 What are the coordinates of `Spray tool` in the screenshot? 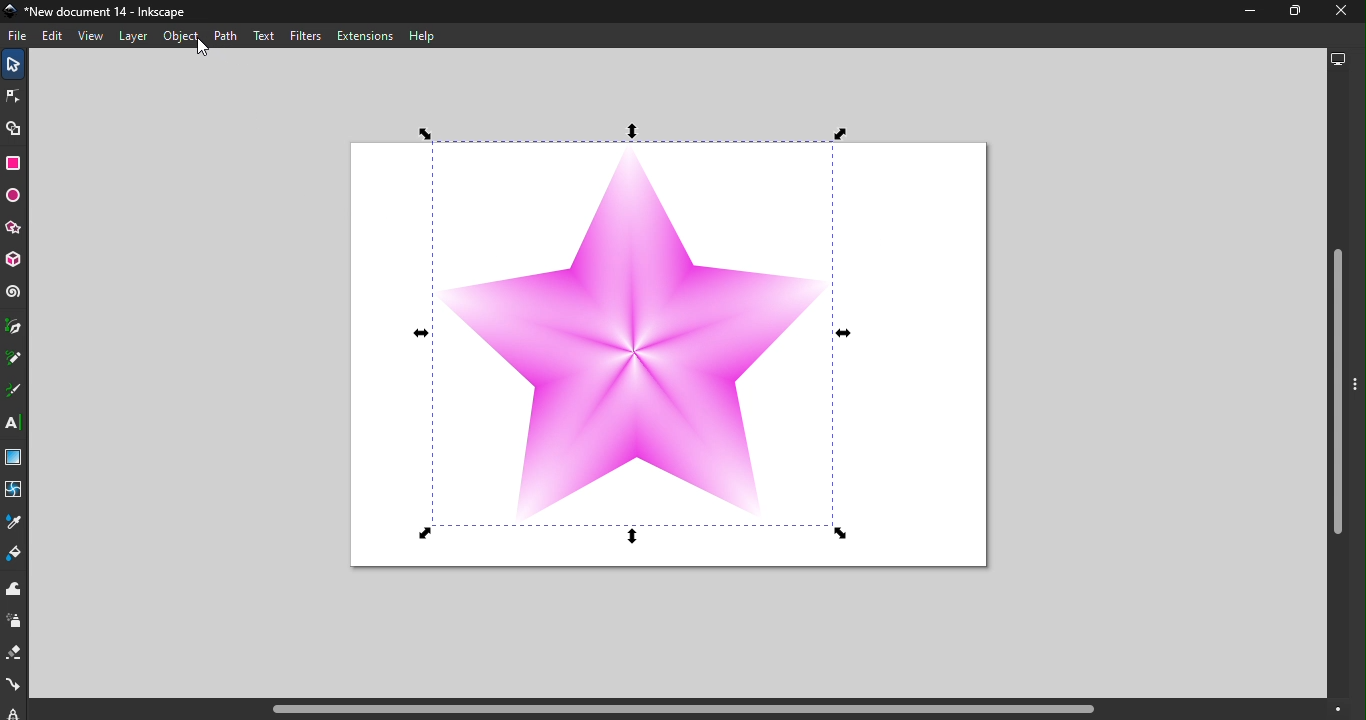 It's located at (15, 620).